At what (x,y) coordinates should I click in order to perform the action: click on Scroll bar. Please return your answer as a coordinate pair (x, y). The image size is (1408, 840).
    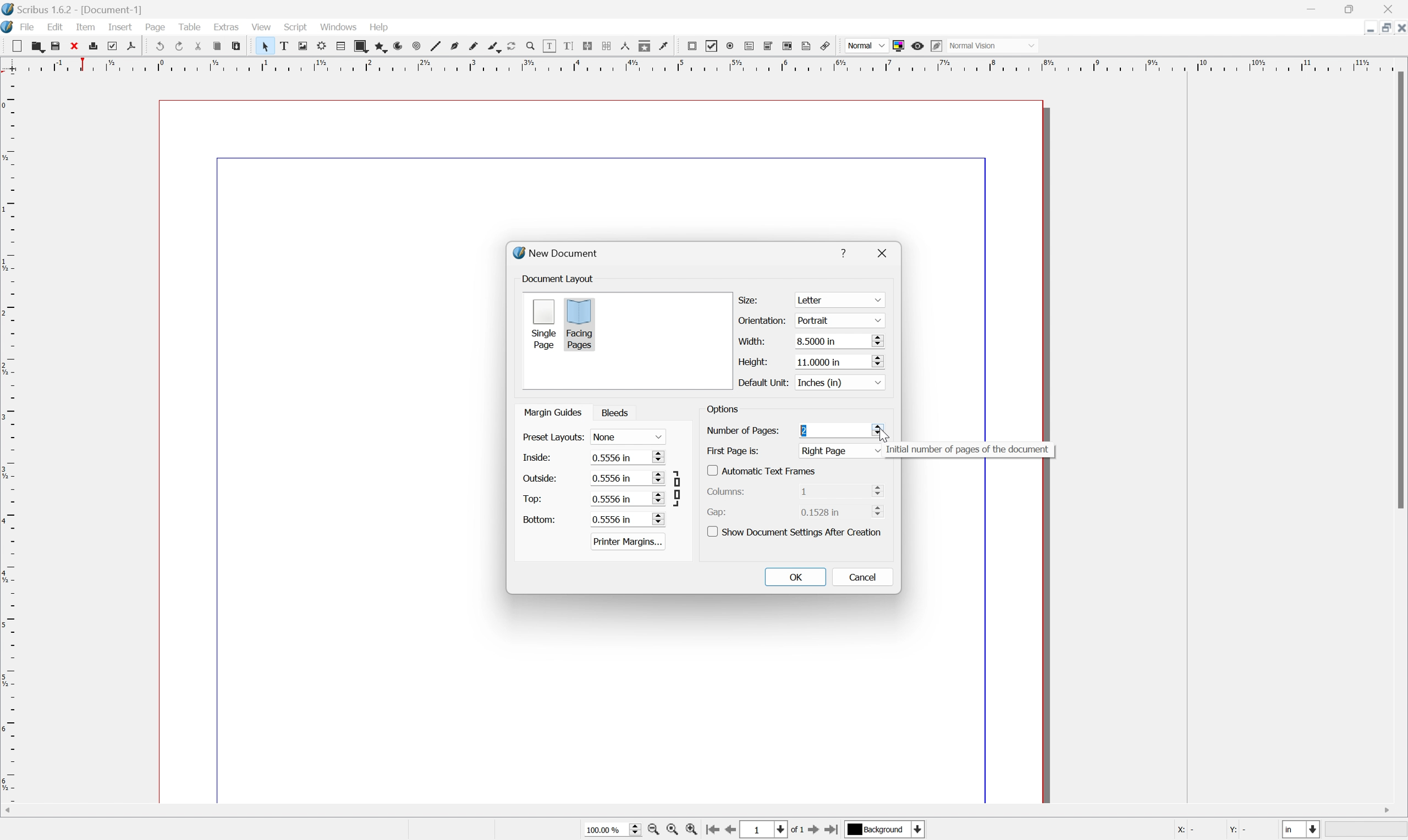
    Looking at the image, I should click on (1399, 292).